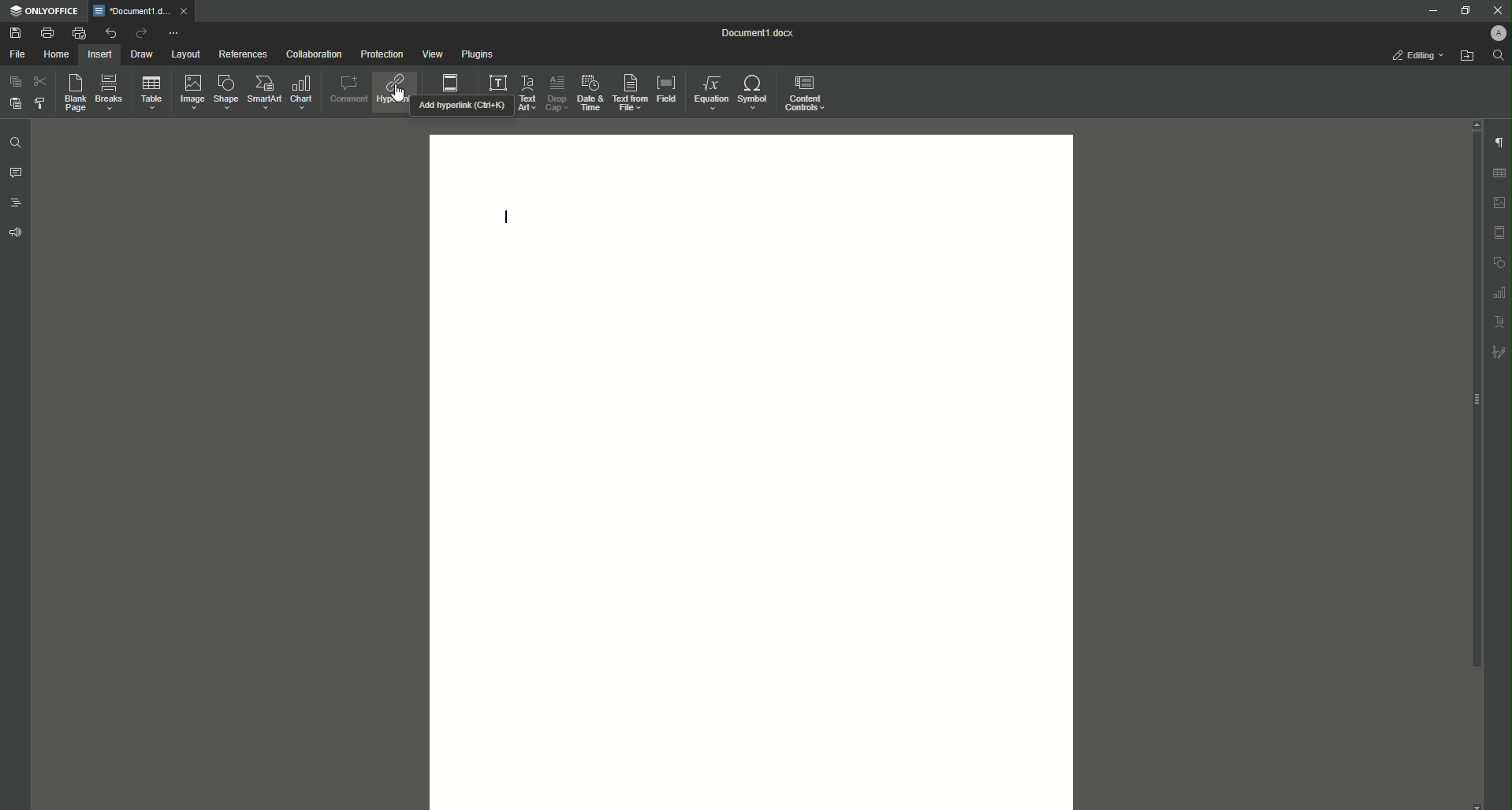  Describe the element at coordinates (1478, 805) in the screenshot. I see `scroll down` at that location.